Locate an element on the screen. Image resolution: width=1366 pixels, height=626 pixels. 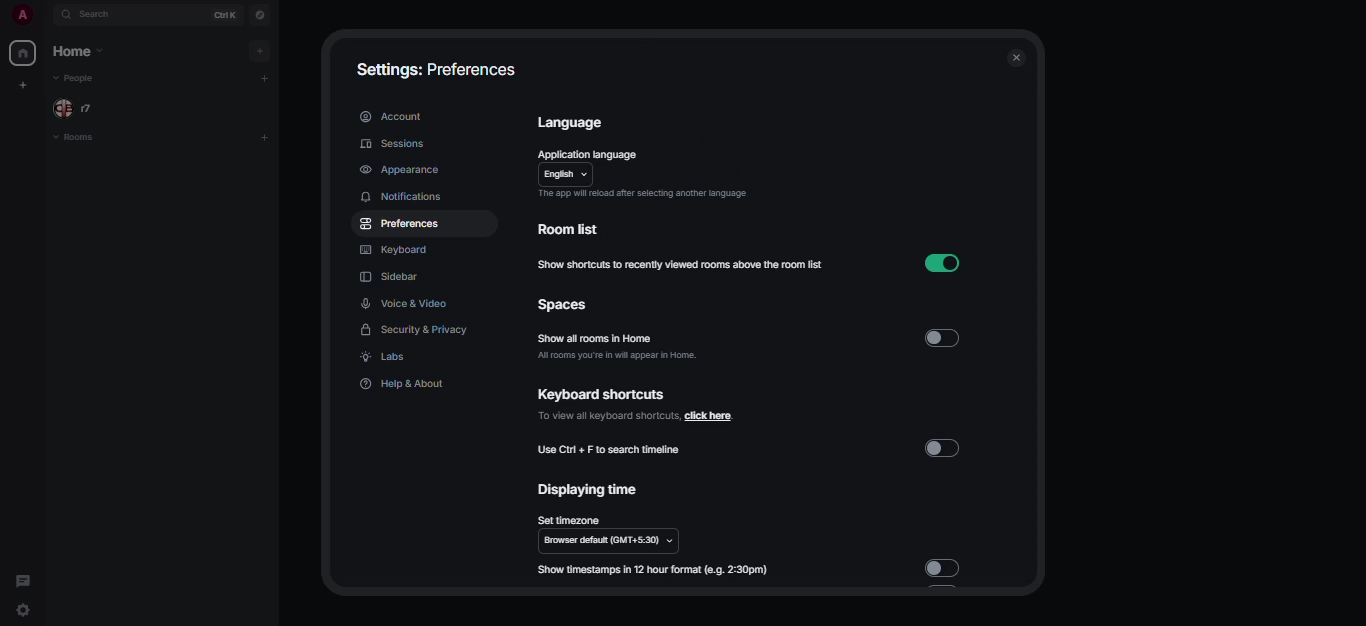
preferences is located at coordinates (402, 222).